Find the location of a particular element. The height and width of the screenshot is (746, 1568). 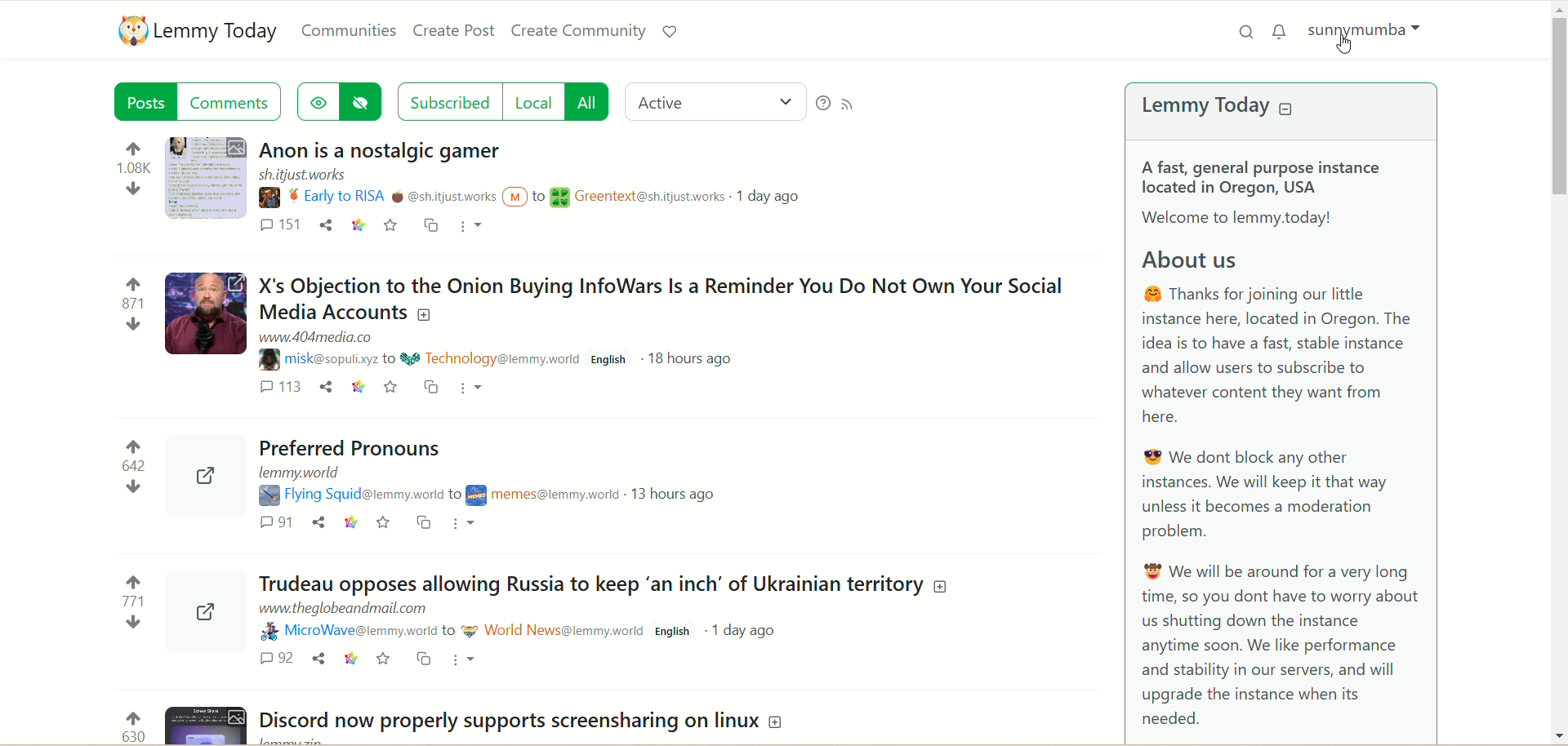

1 day ago is located at coordinates (768, 196).